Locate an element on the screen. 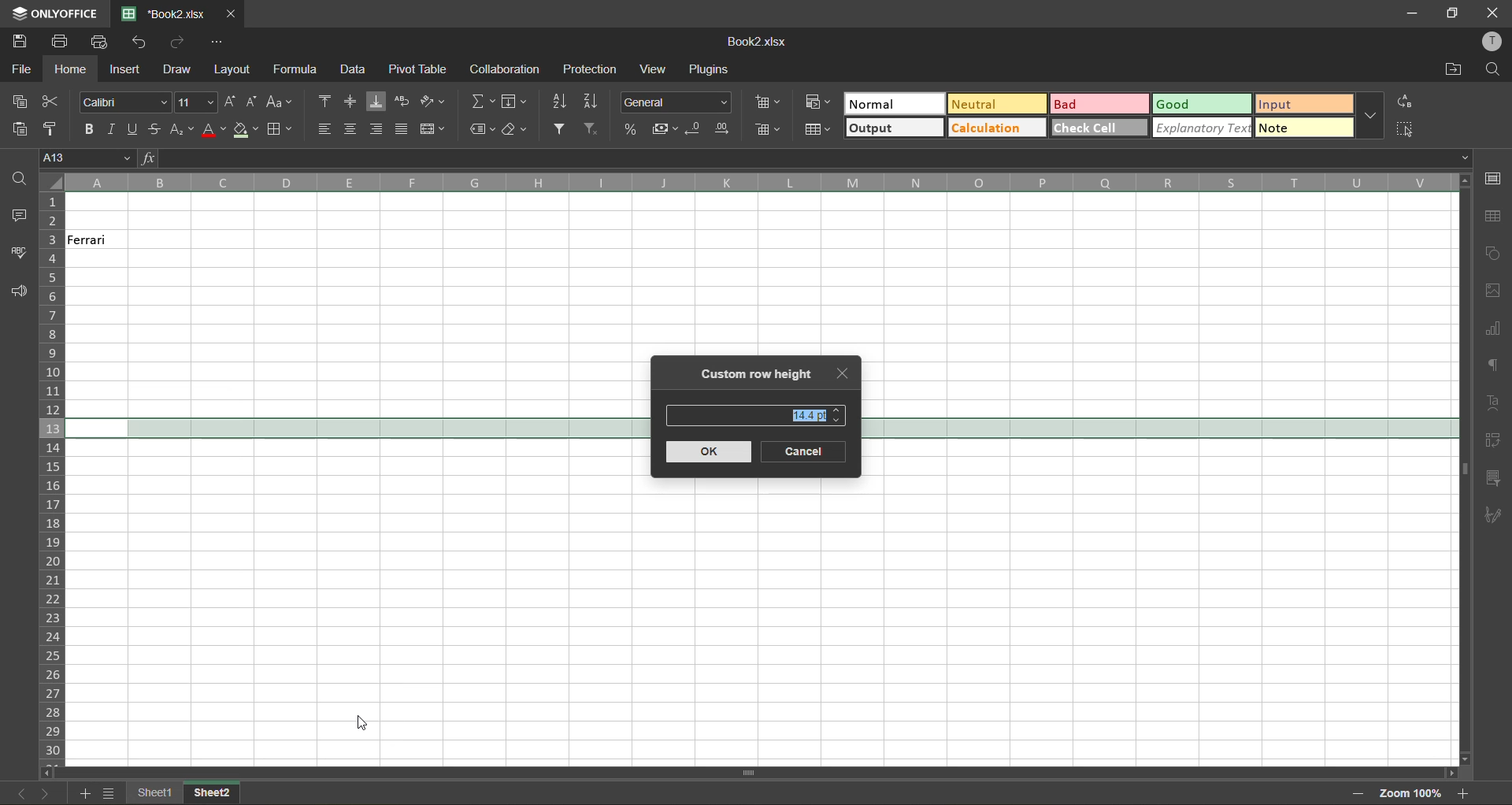 This screenshot has width=1512, height=805. scrollbar is located at coordinates (748, 773).